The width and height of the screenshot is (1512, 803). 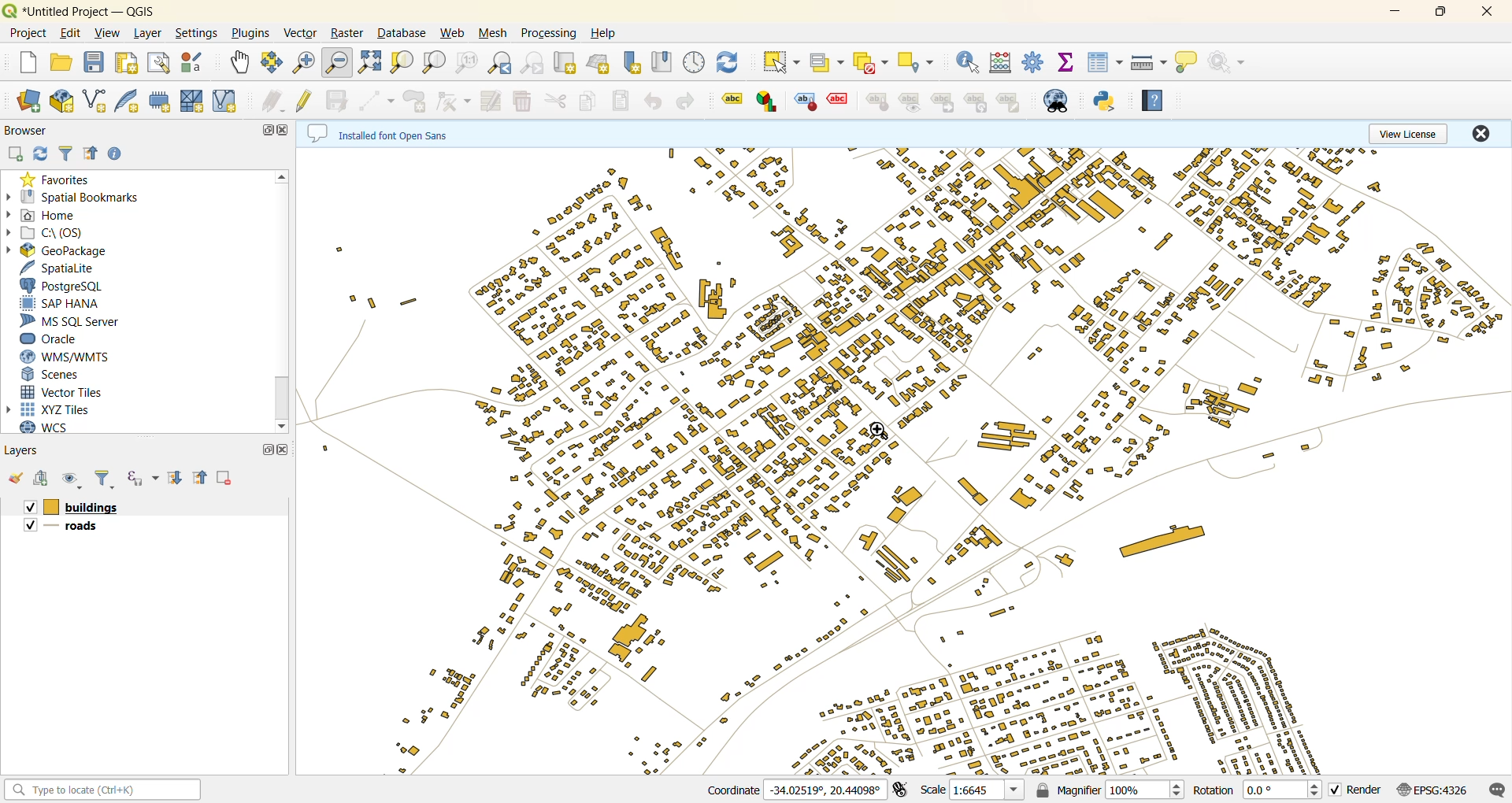 What do you see at coordinates (921, 62) in the screenshot?
I see `select location` at bounding box center [921, 62].